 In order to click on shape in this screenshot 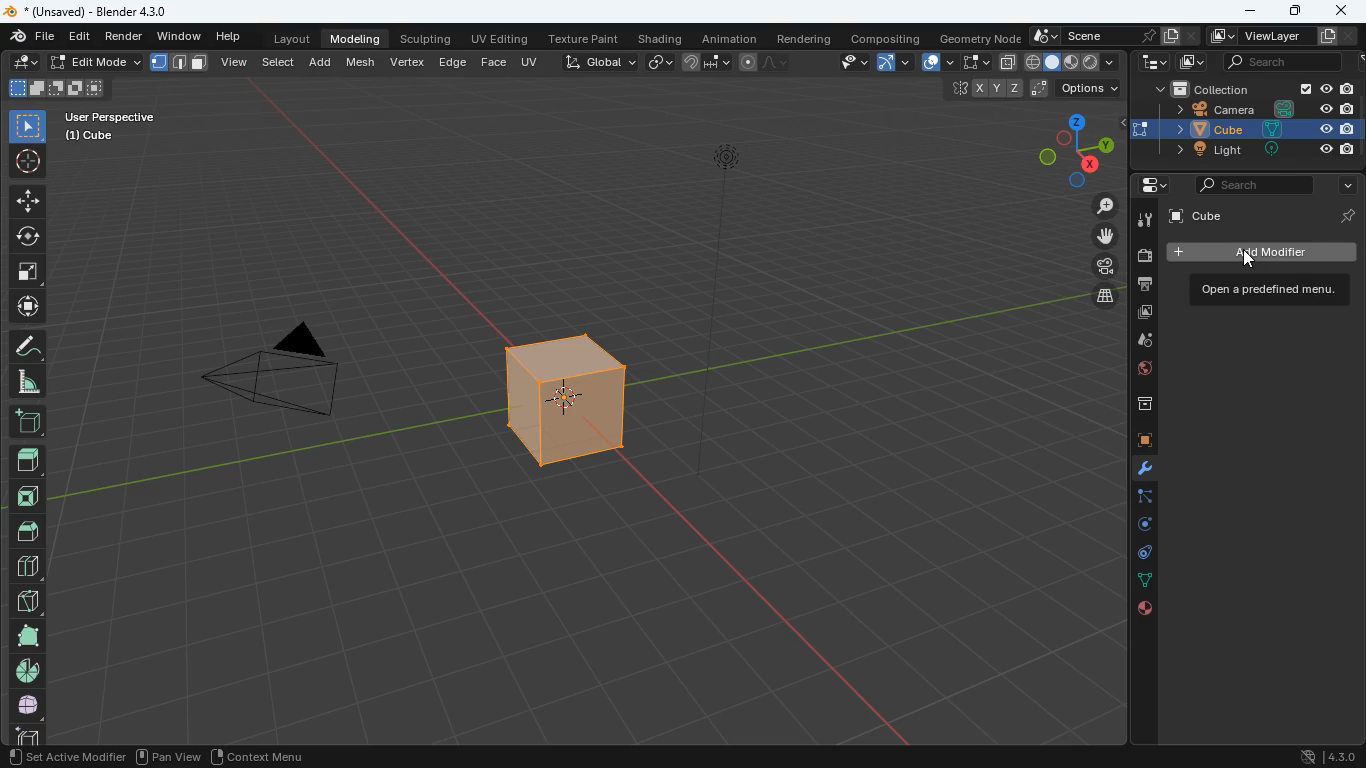, I will do `click(1073, 61)`.